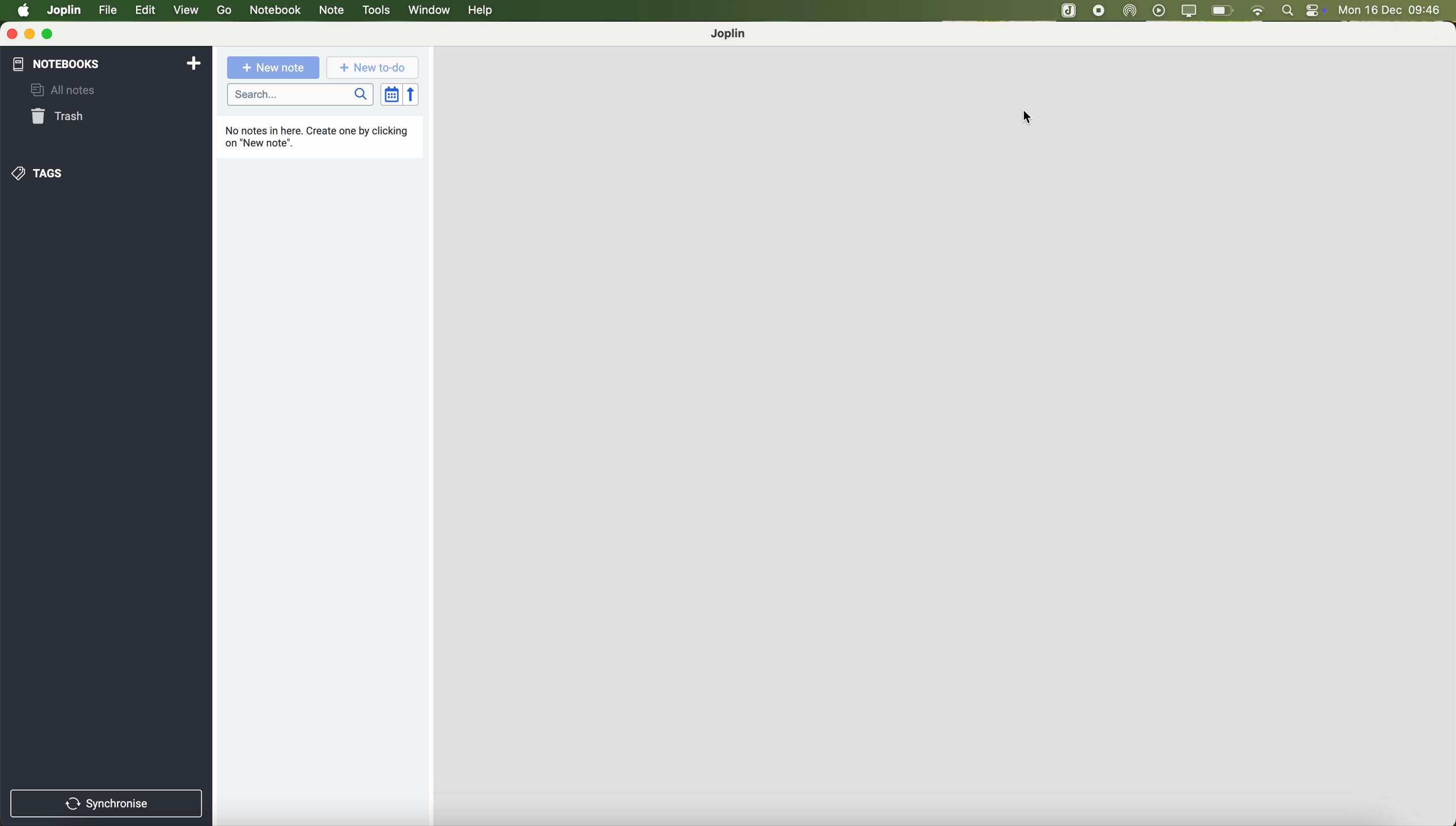  What do you see at coordinates (1160, 10) in the screenshot?
I see `play` at bounding box center [1160, 10].